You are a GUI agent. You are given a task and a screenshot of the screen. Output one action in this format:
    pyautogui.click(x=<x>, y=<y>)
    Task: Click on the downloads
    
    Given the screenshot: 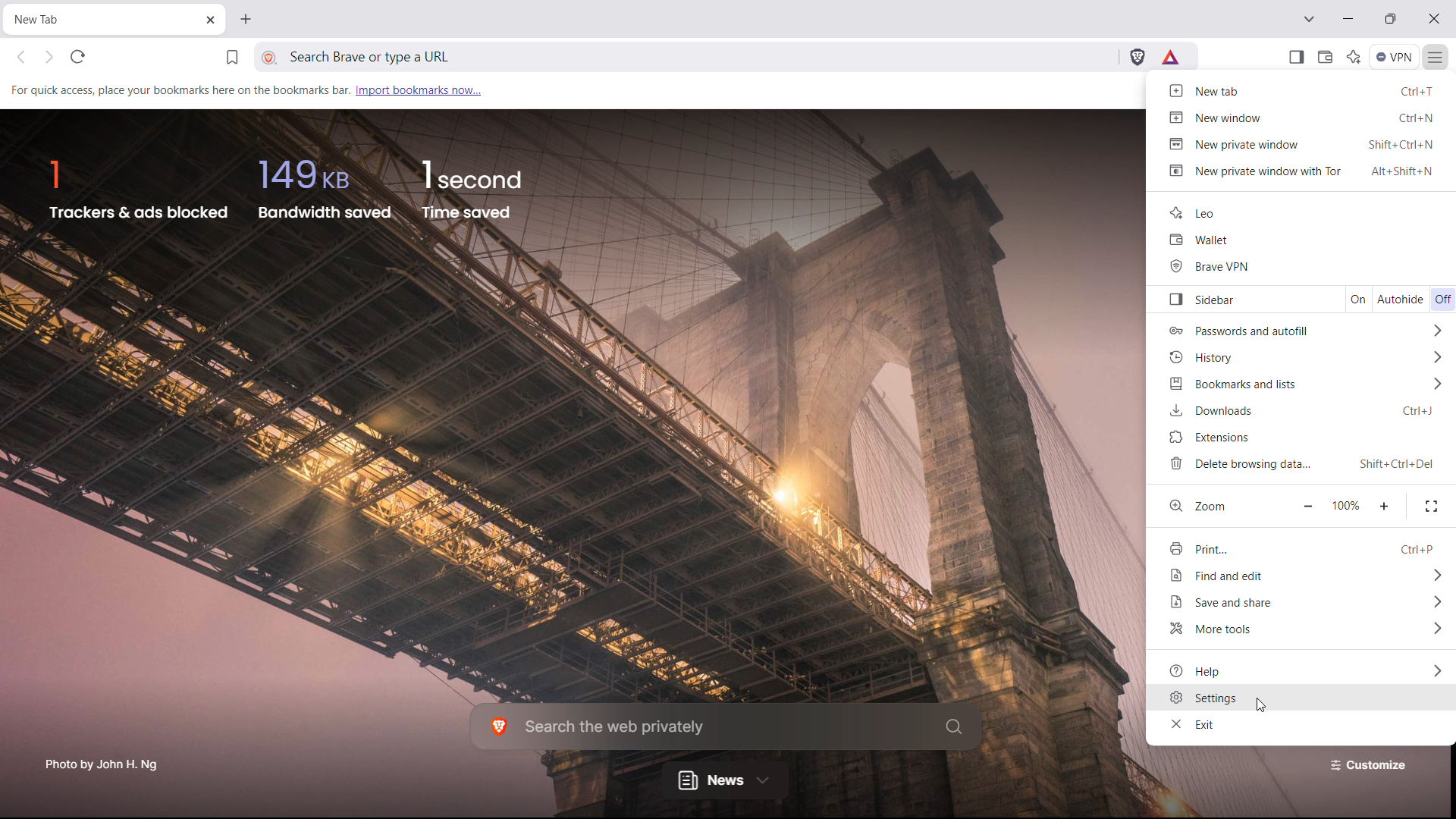 What is the action you would take?
    pyautogui.click(x=1305, y=409)
    